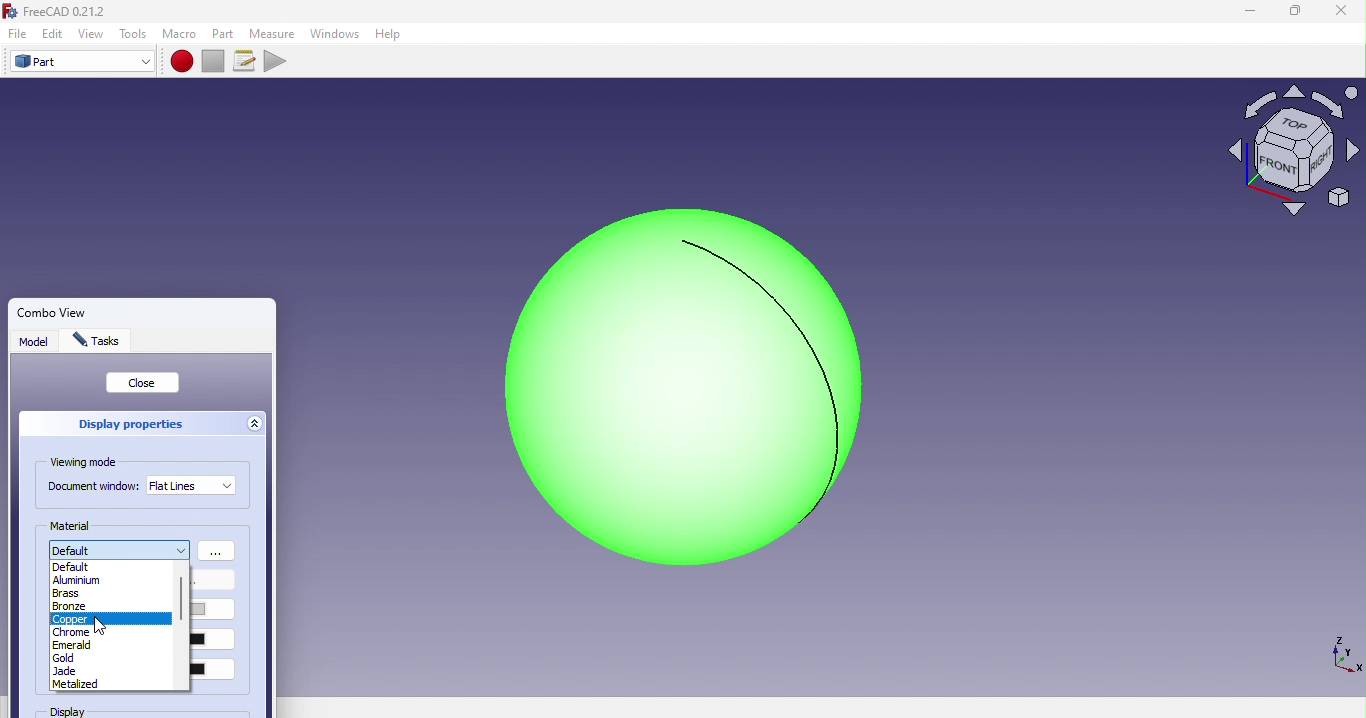  Describe the element at coordinates (256, 424) in the screenshot. I see `hide properties` at that location.